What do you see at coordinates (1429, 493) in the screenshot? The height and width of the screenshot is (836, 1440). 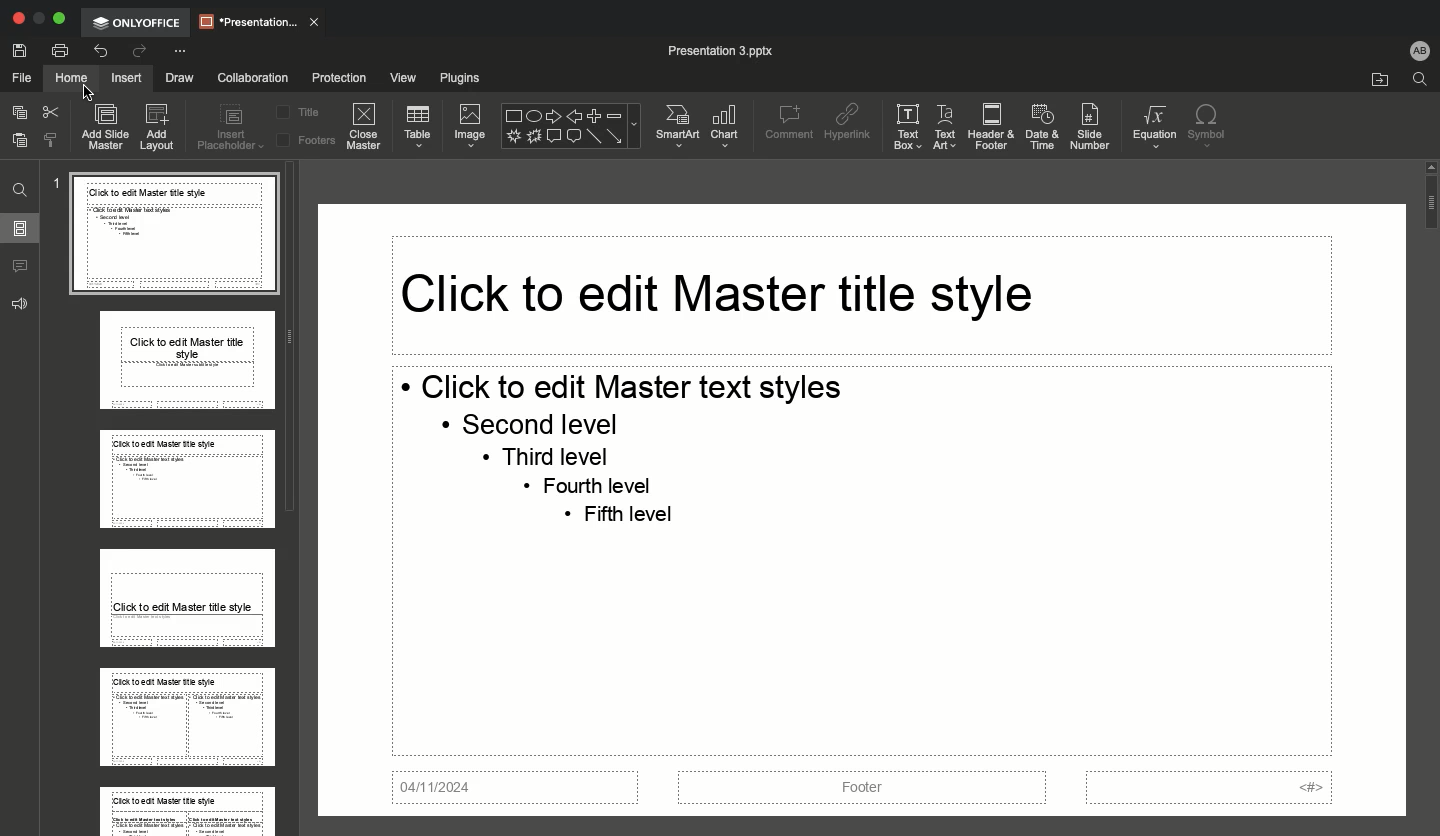 I see `Scroll bar` at bounding box center [1429, 493].